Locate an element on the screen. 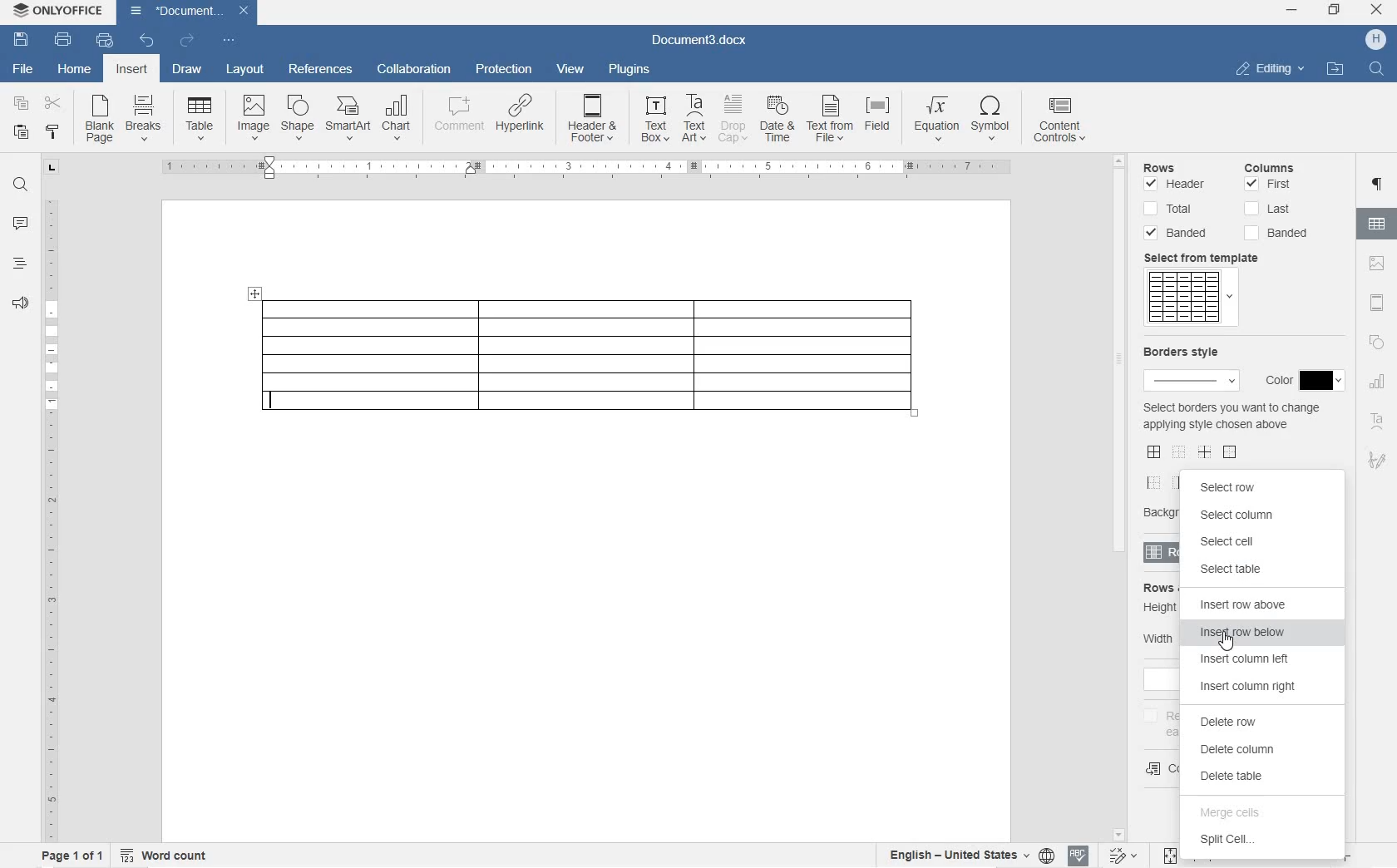 This screenshot has height=868, width=1397. SCROLLBAR is located at coordinates (1118, 499).